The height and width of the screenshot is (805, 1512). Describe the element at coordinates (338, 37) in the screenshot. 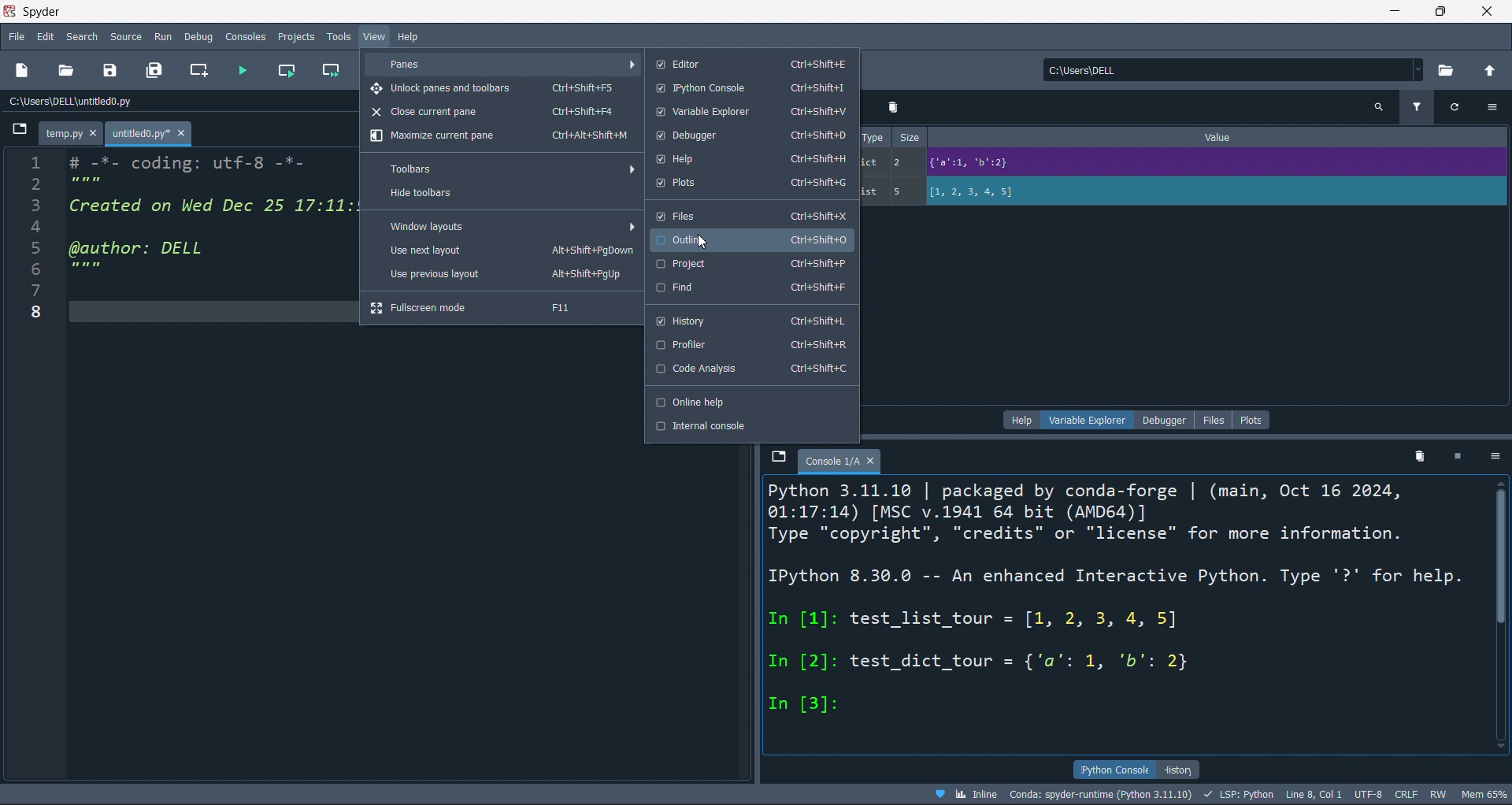

I see `tools` at that location.